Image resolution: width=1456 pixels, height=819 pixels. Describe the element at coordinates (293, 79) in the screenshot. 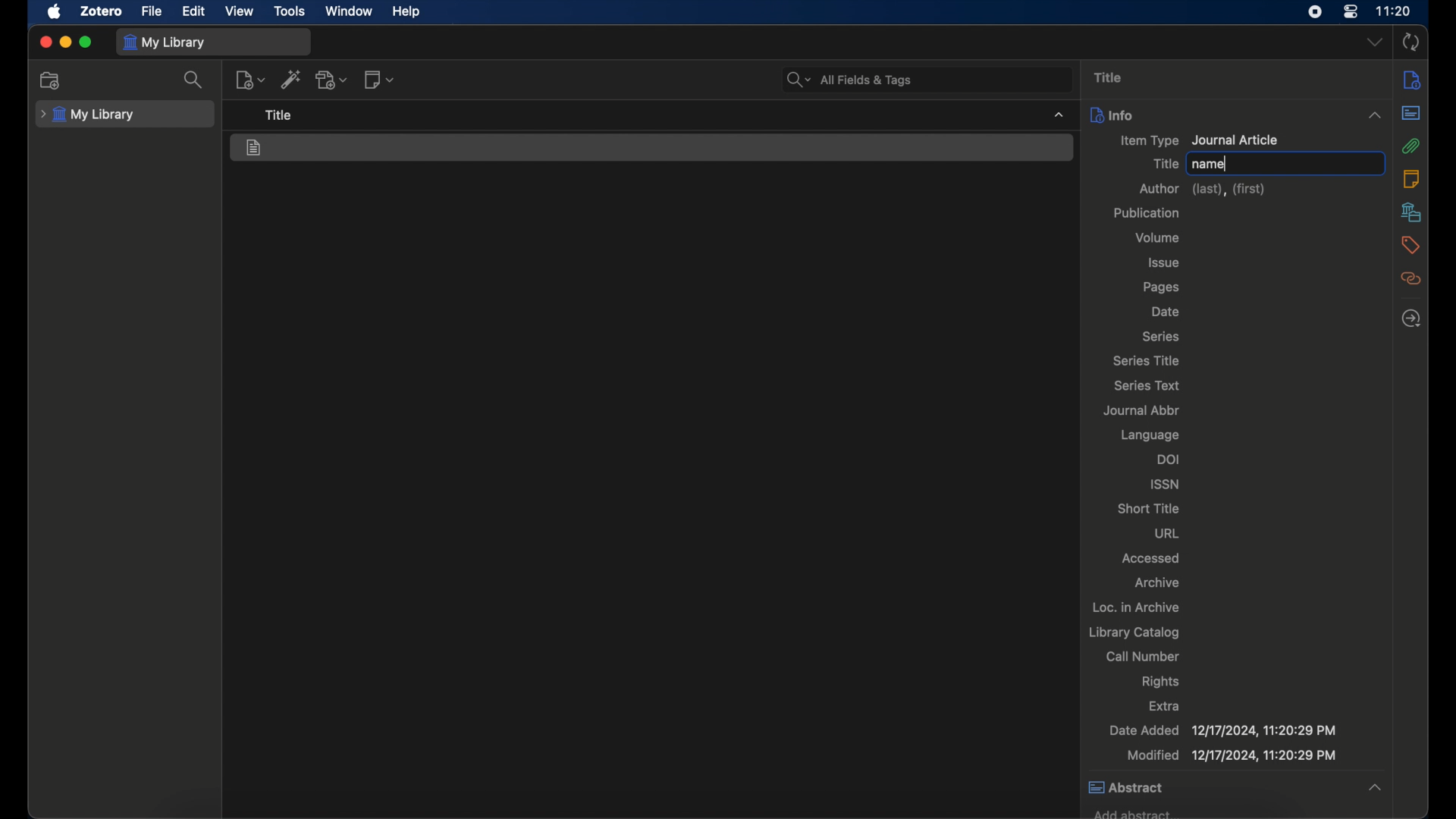

I see `add item by identifier` at that location.